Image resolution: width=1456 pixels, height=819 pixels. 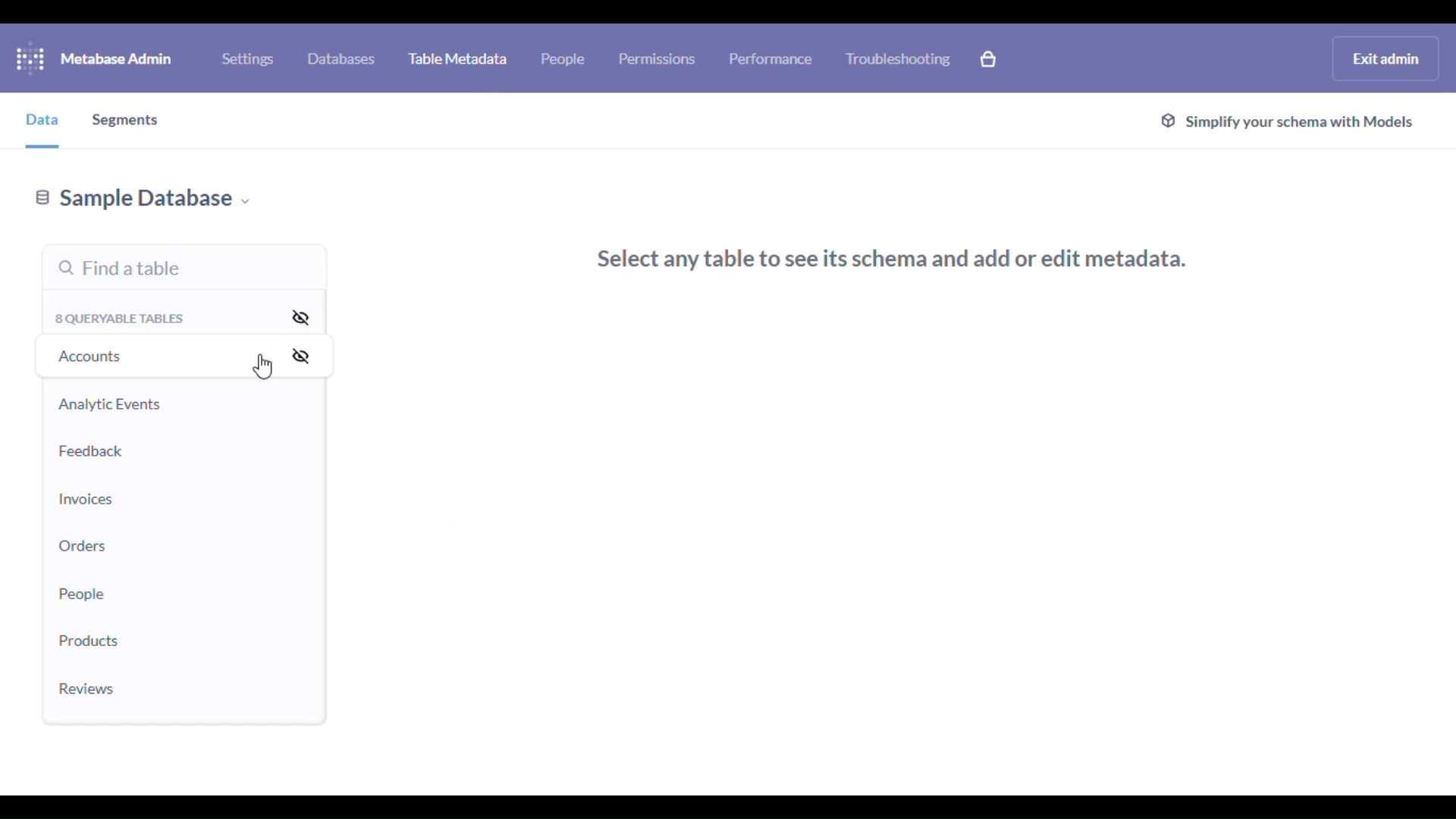 I want to click on databases, so click(x=341, y=58).